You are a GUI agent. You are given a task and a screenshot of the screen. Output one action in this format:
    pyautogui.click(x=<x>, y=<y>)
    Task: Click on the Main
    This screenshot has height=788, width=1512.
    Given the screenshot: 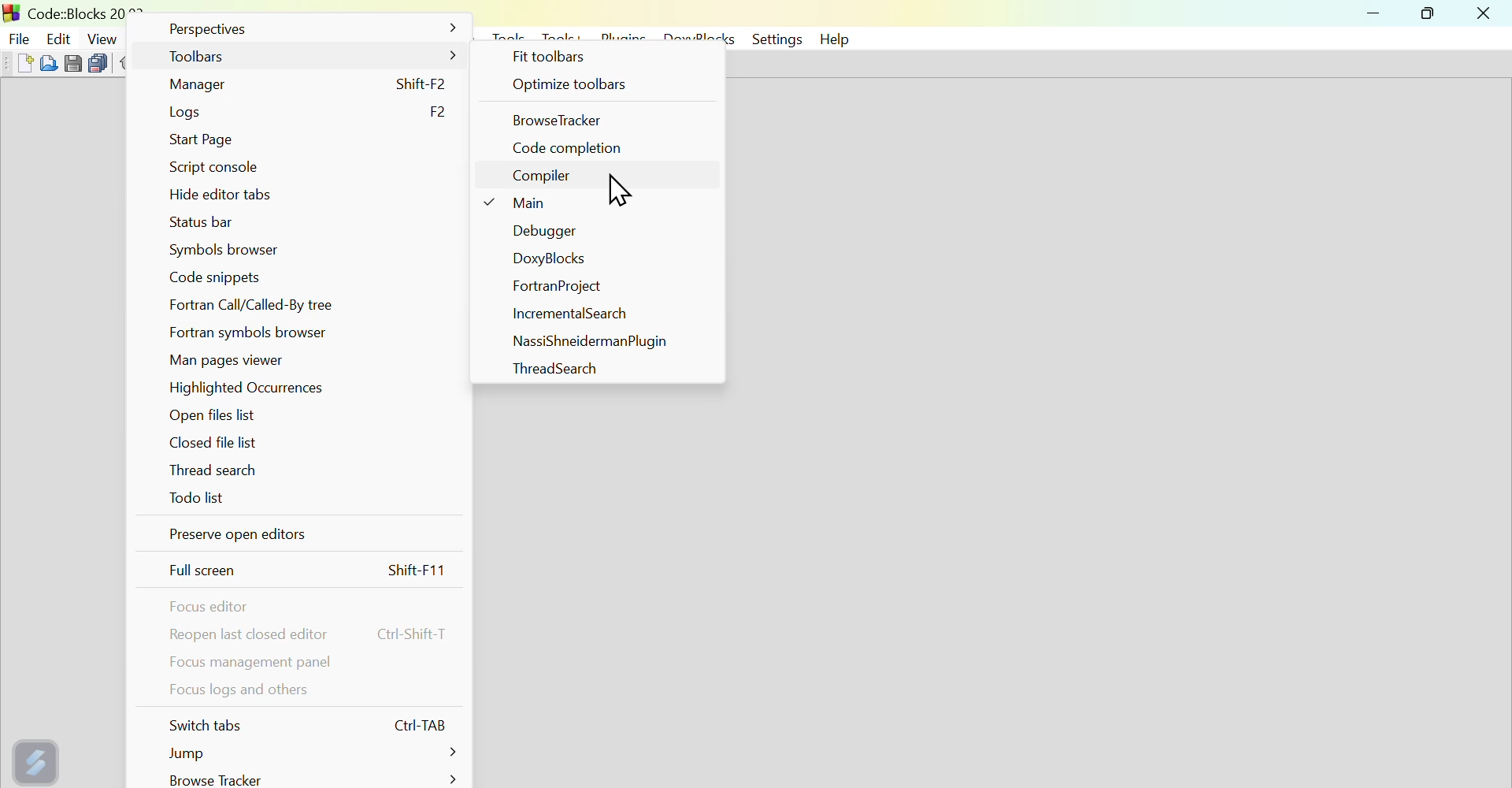 What is the action you would take?
    pyautogui.click(x=524, y=206)
    